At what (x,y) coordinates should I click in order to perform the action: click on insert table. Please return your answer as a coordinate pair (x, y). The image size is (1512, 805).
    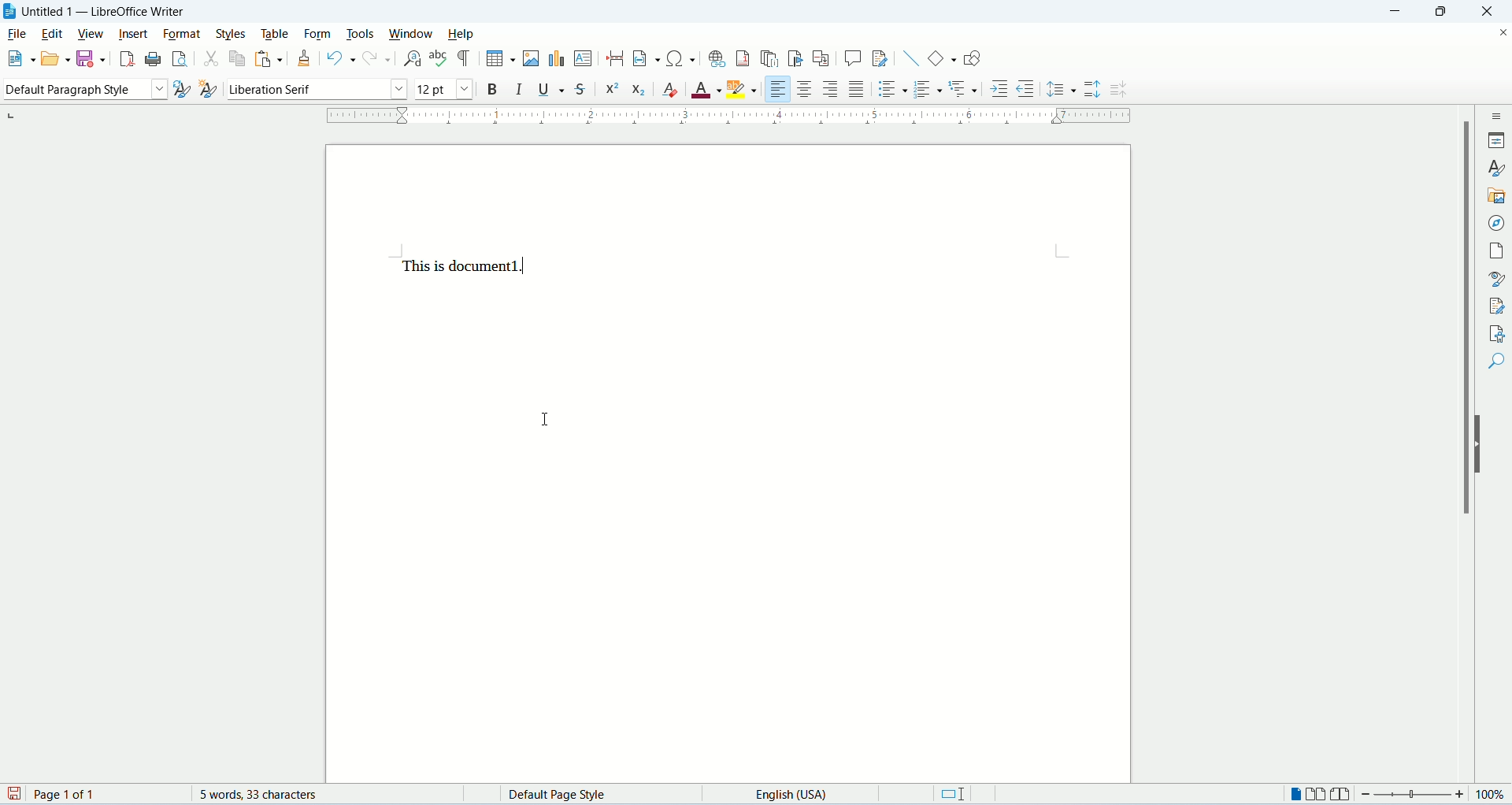
    Looking at the image, I should click on (502, 58).